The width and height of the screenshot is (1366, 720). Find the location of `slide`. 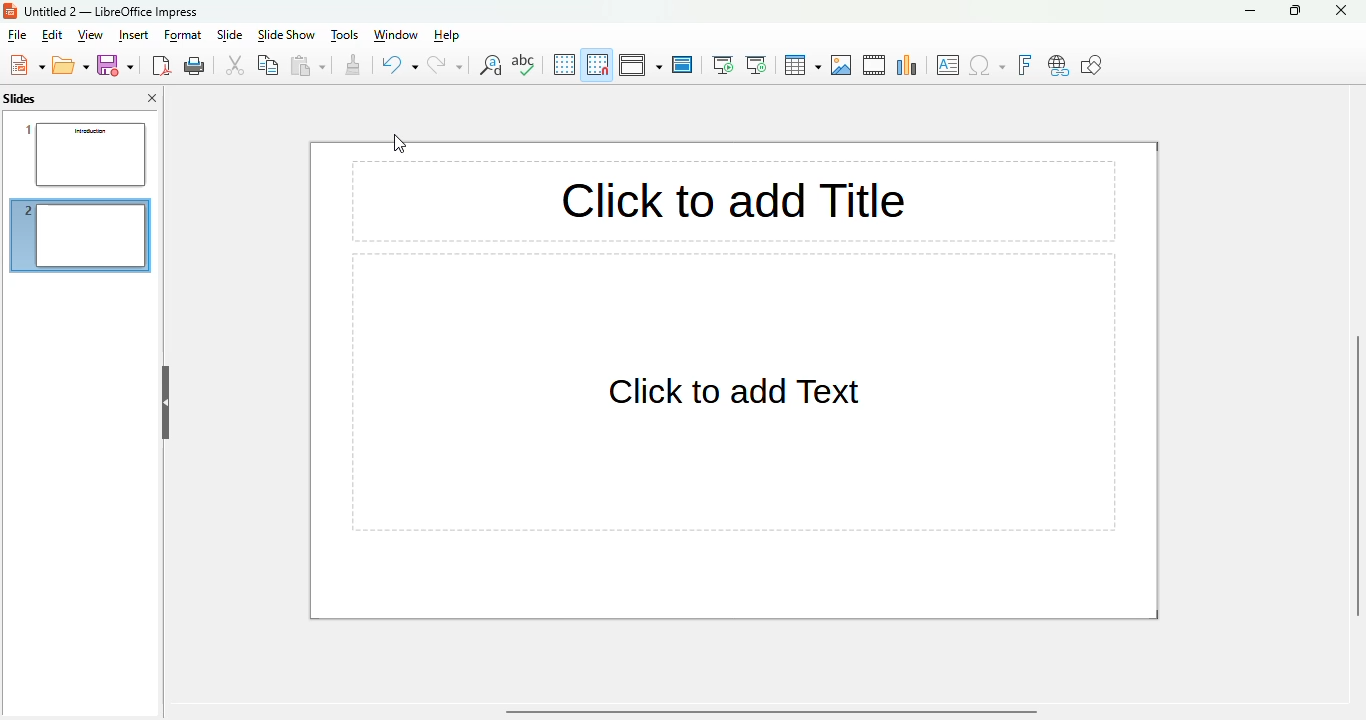

slide is located at coordinates (230, 34).